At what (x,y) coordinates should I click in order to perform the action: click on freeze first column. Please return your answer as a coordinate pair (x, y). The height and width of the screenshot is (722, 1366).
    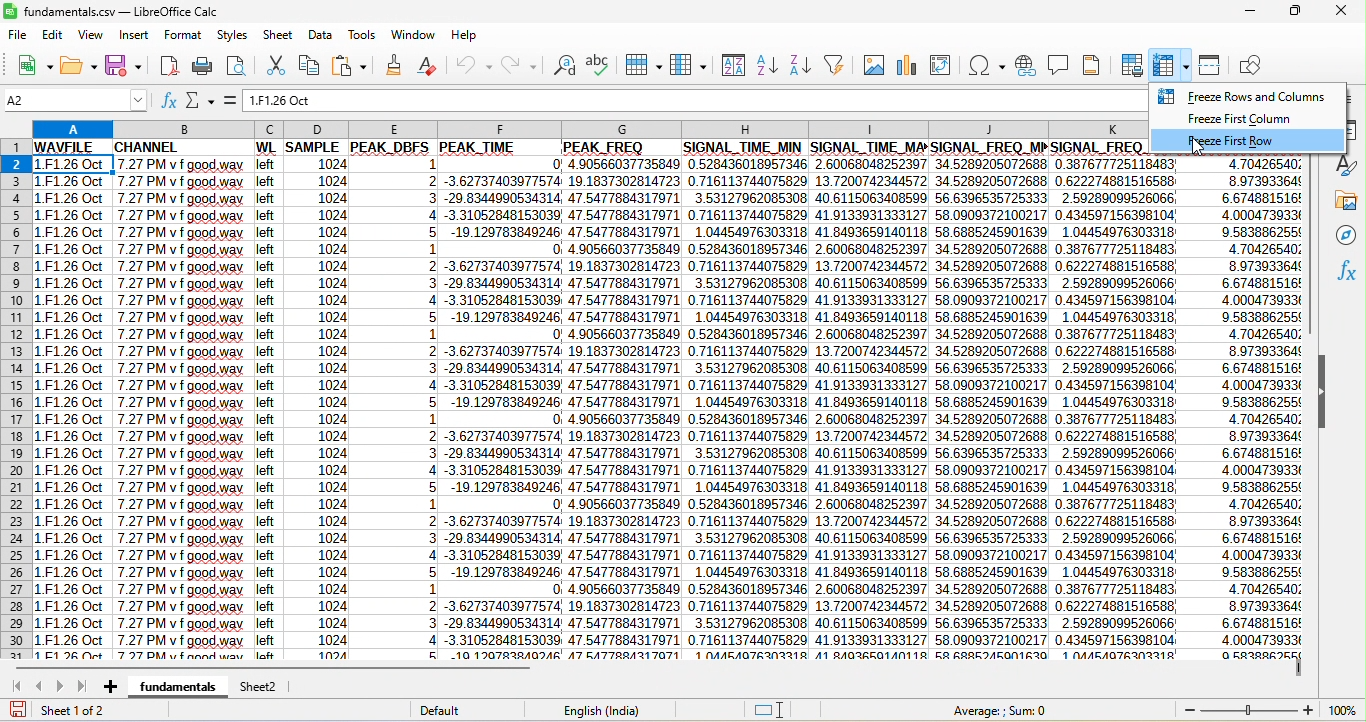
    Looking at the image, I should click on (1242, 118).